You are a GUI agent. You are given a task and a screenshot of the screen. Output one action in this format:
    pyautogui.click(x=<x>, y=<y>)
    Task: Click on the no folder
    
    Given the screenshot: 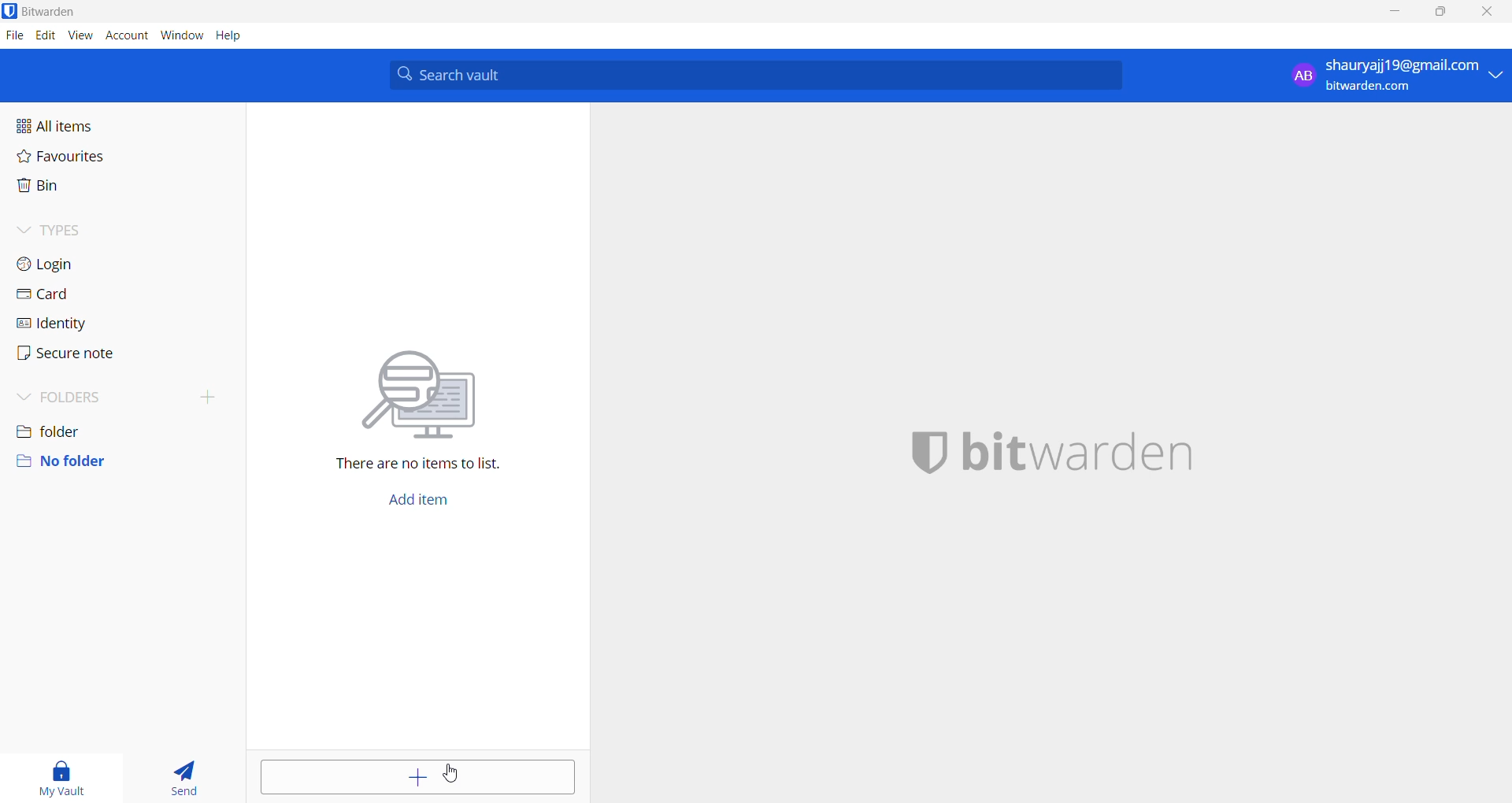 What is the action you would take?
    pyautogui.click(x=117, y=461)
    